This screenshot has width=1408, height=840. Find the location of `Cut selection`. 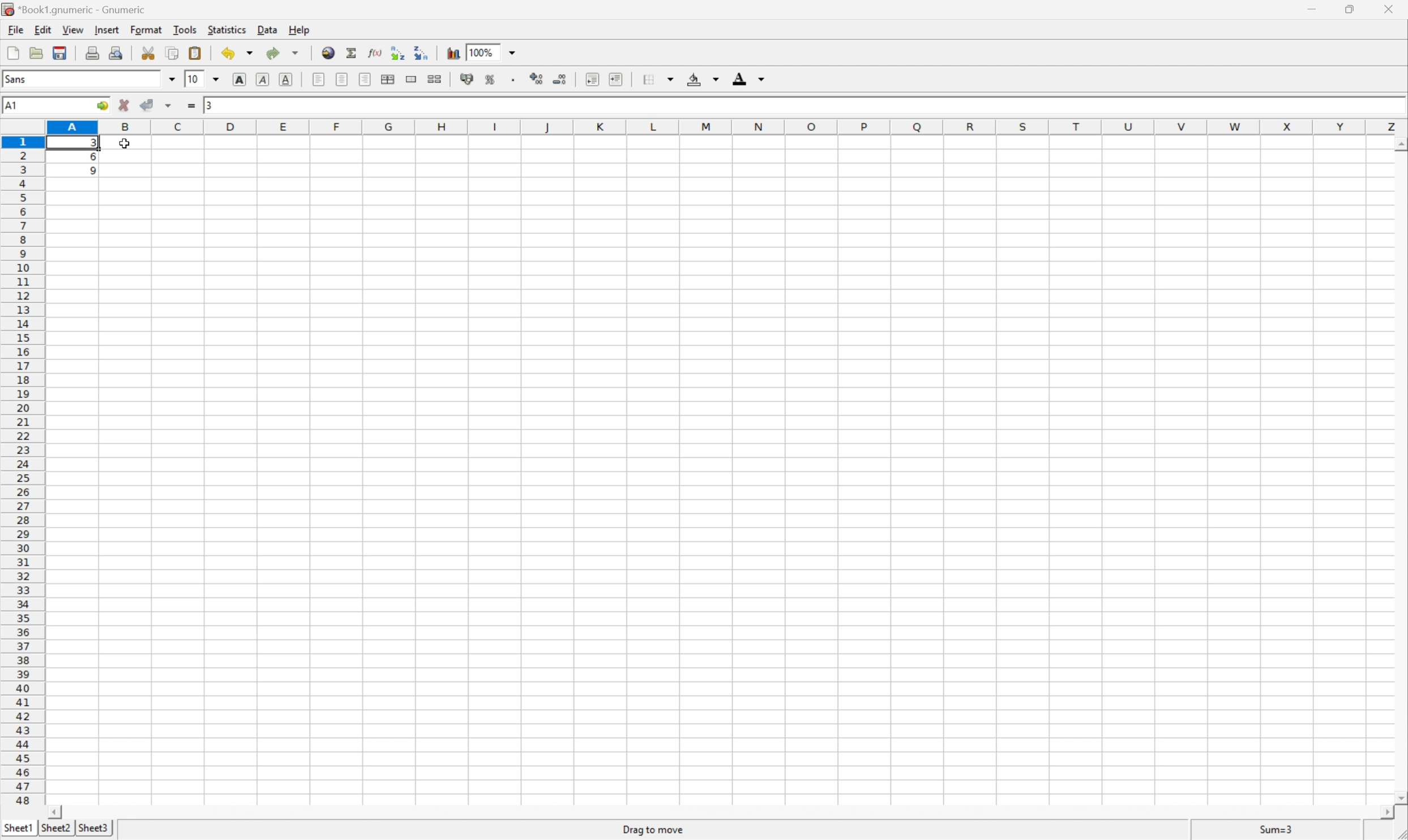

Cut selection is located at coordinates (148, 53).